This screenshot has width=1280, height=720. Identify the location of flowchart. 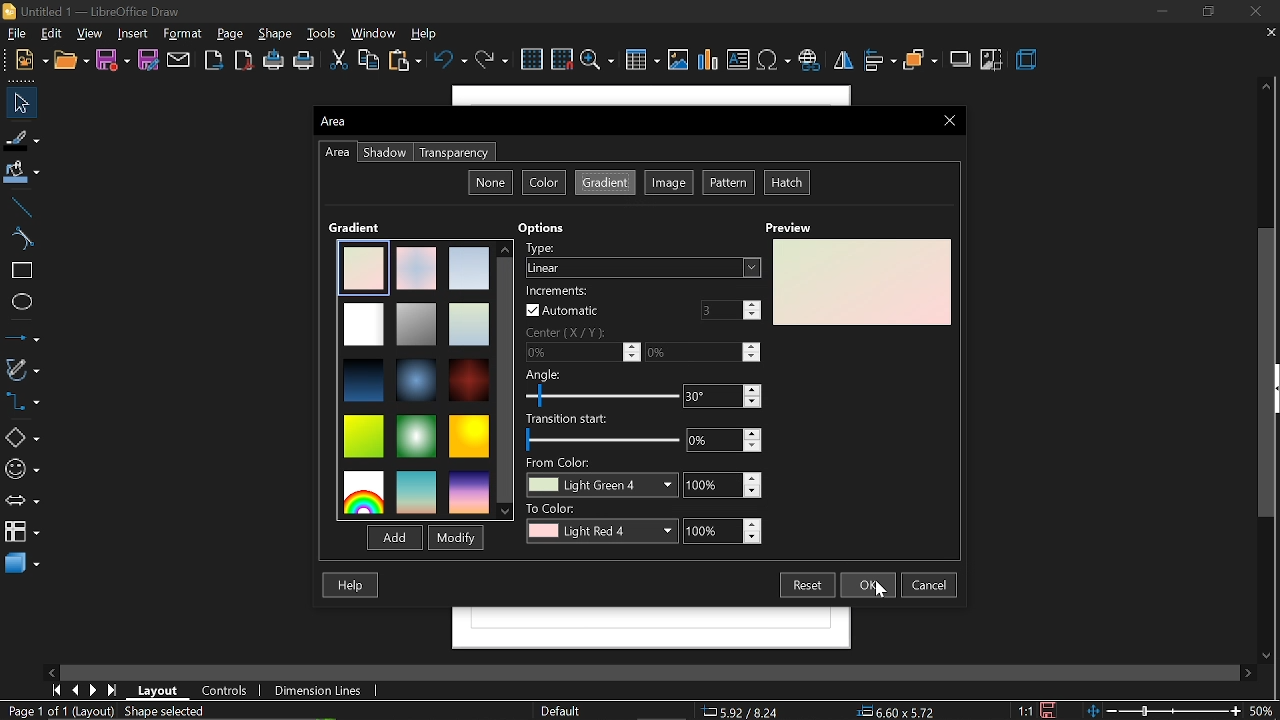
(21, 530).